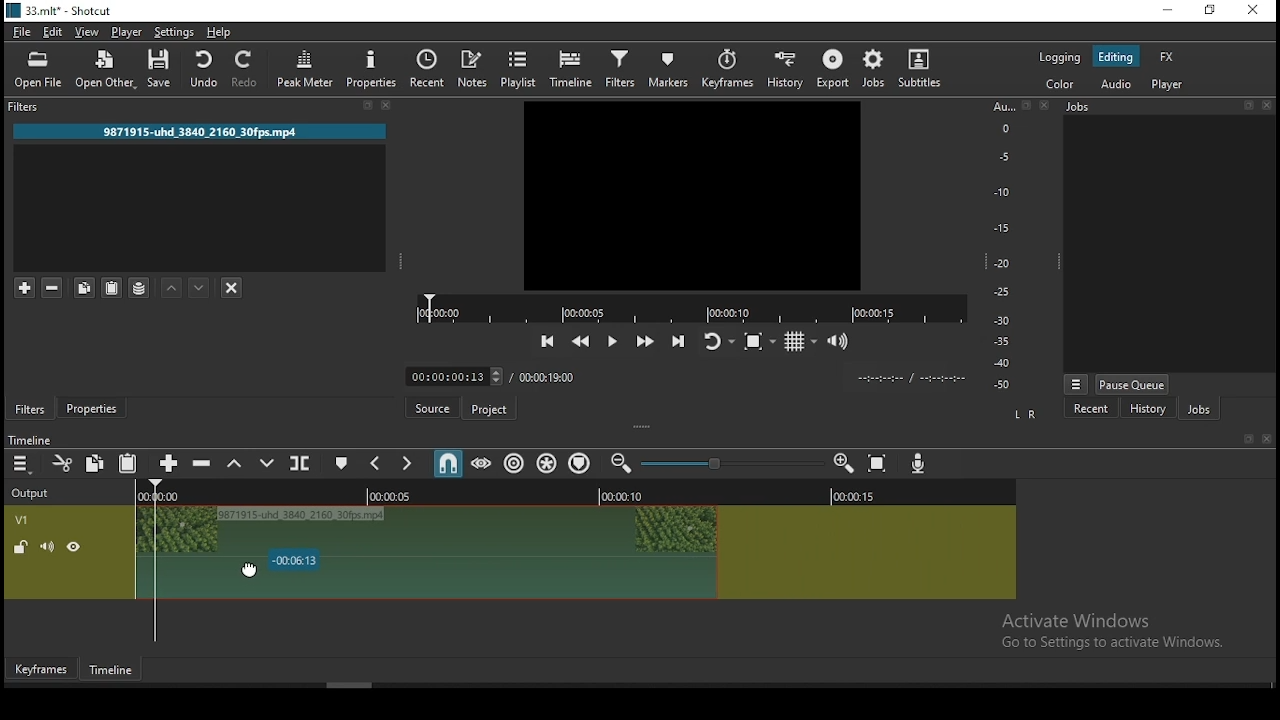 The image size is (1280, 720). I want to click on paste, so click(130, 463).